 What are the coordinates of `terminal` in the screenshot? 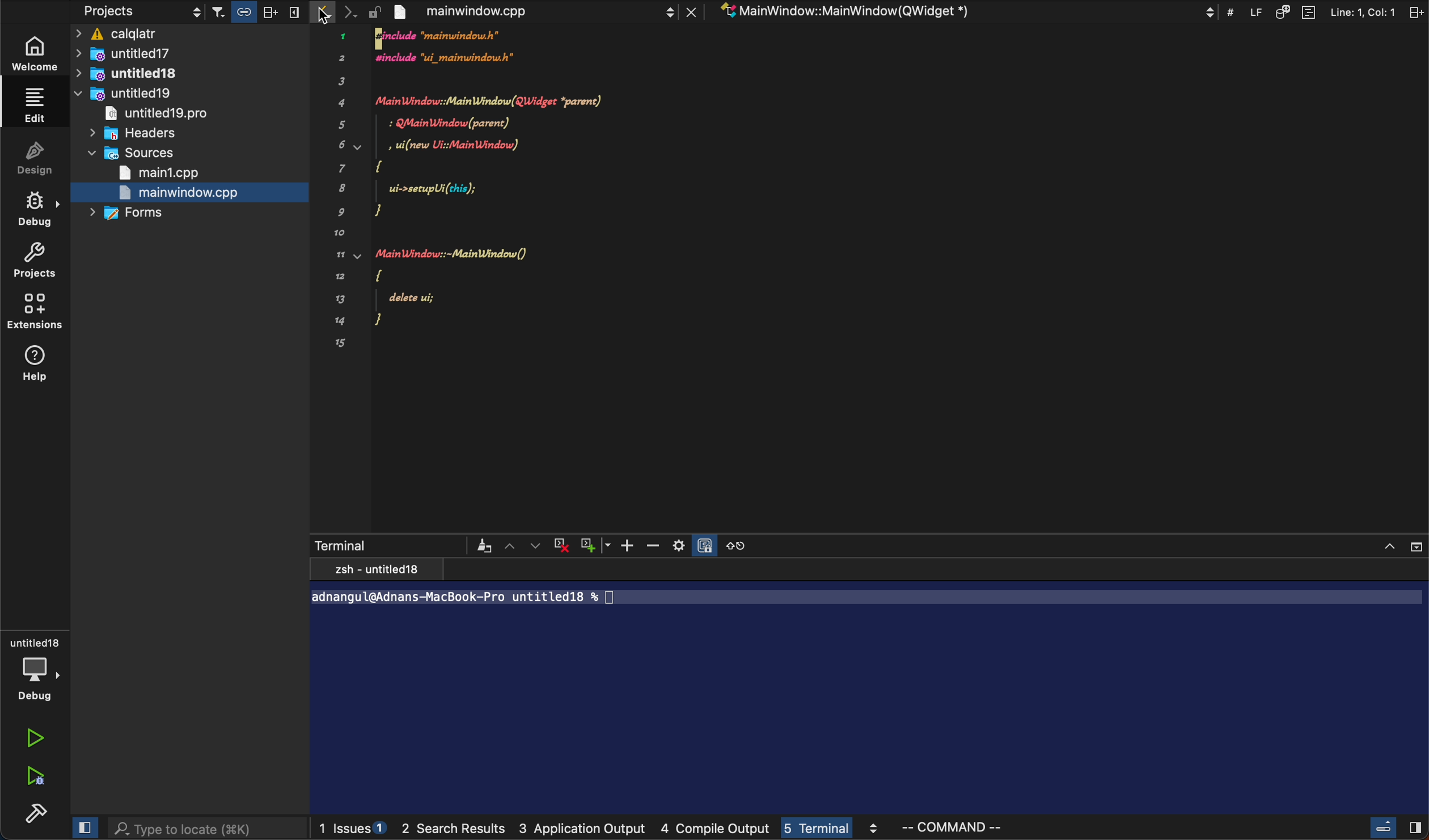 It's located at (383, 544).